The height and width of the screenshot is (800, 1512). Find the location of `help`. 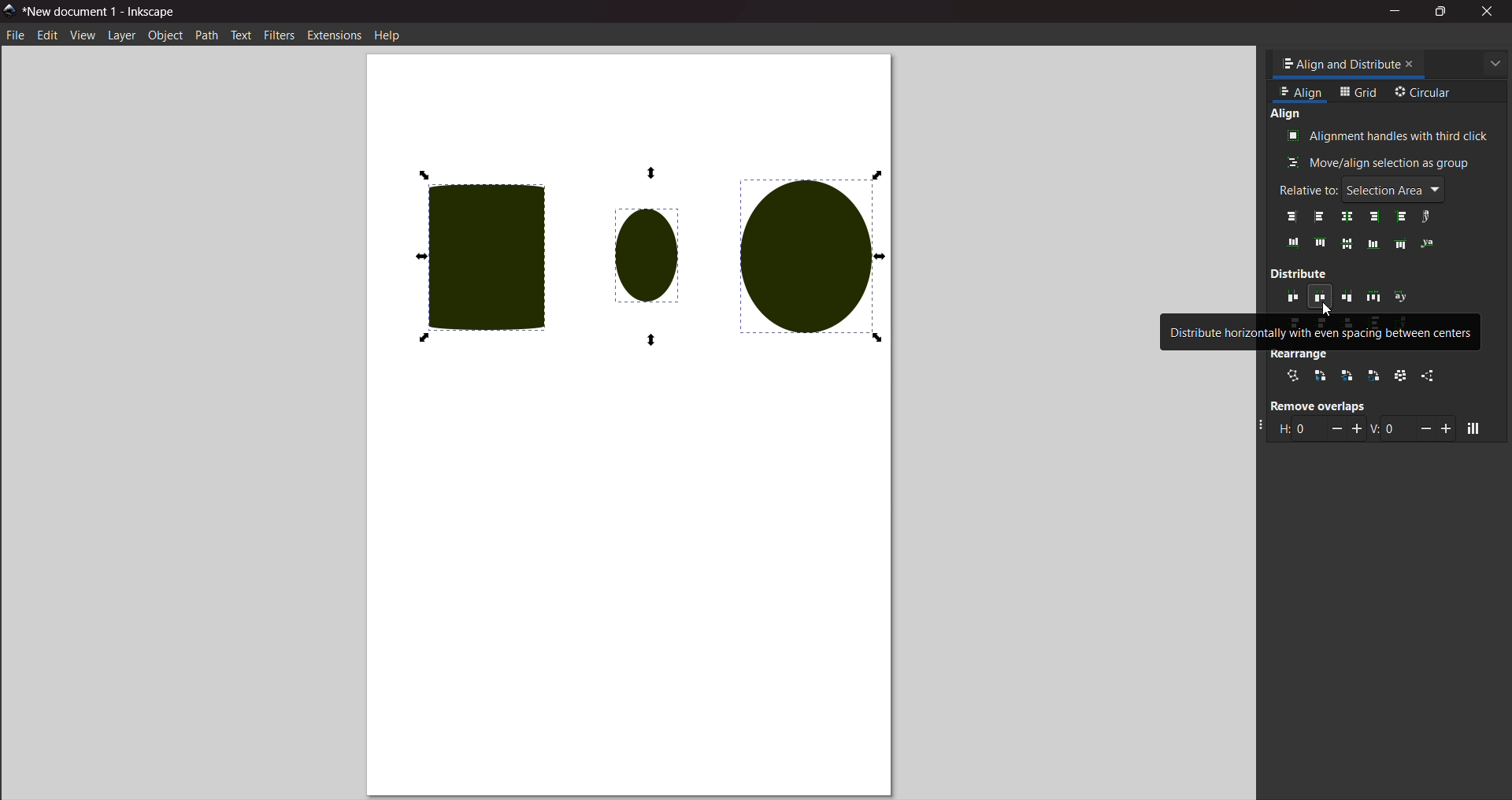

help is located at coordinates (387, 36).